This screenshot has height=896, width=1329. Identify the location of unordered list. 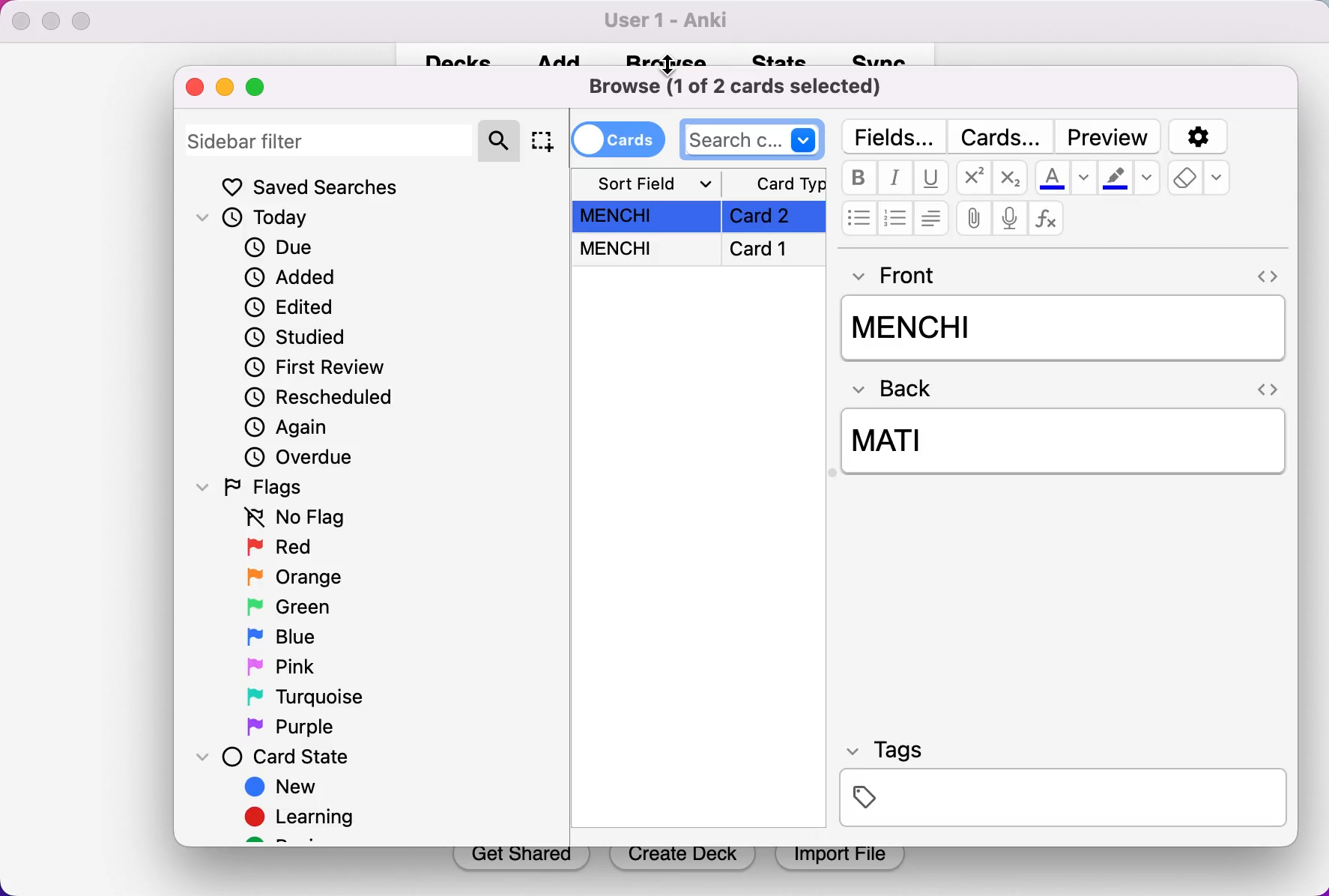
(856, 220).